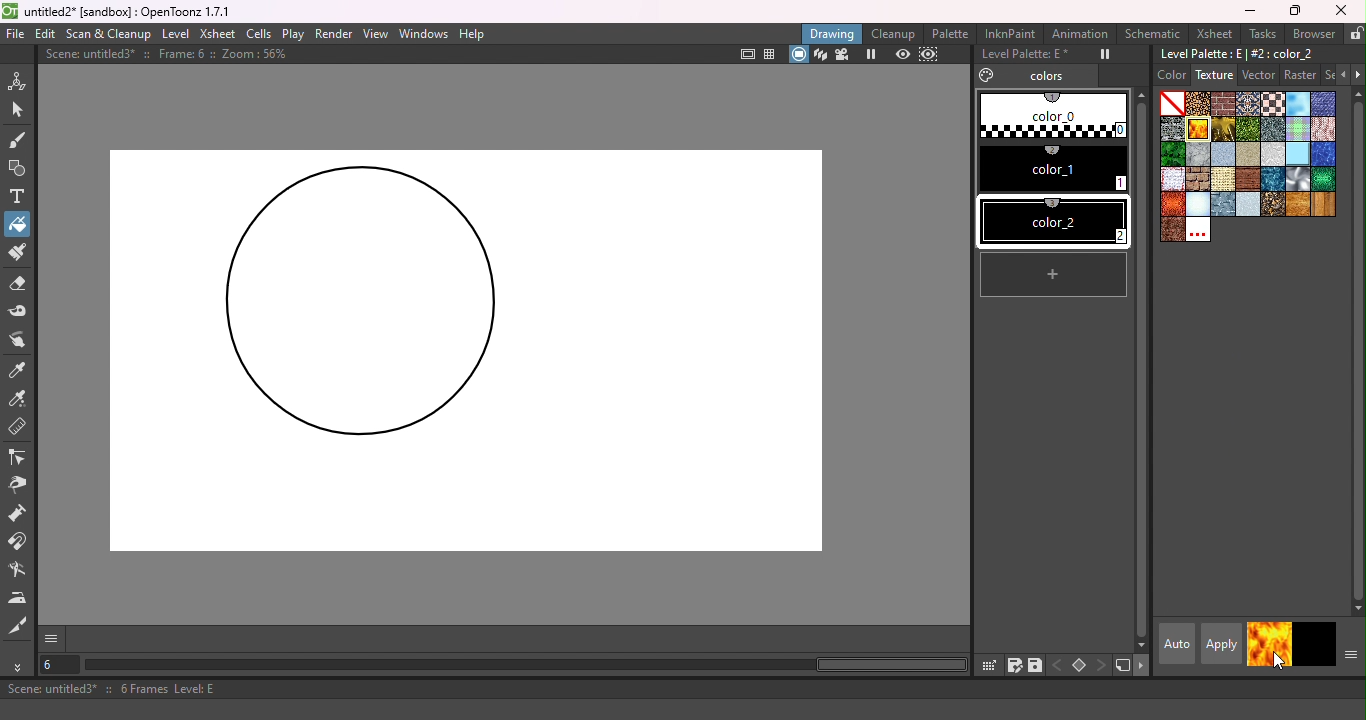  Describe the element at coordinates (1247, 10) in the screenshot. I see `Minimize ` at that location.